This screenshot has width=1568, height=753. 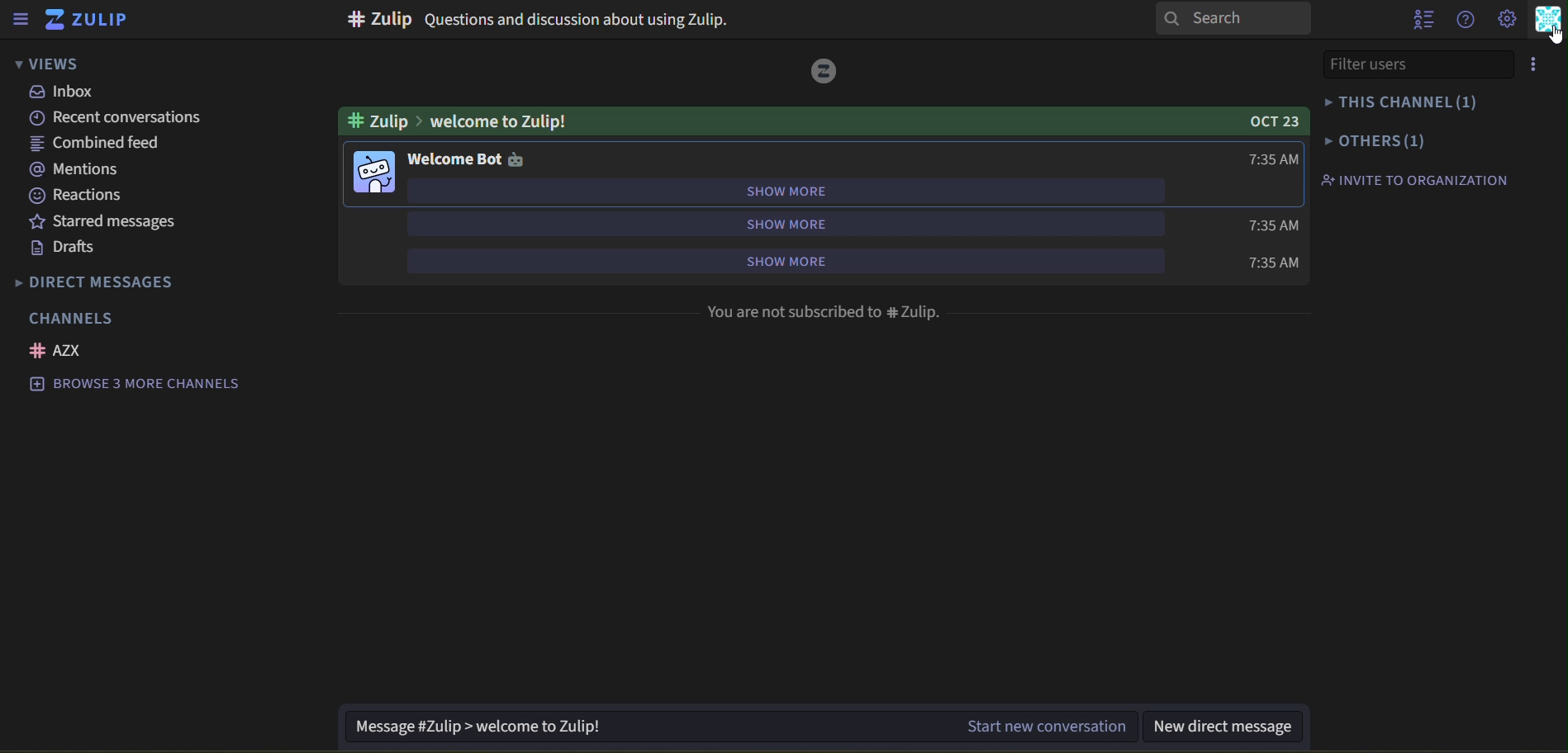 What do you see at coordinates (1233, 726) in the screenshot?
I see `new direct message` at bounding box center [1233, 726].